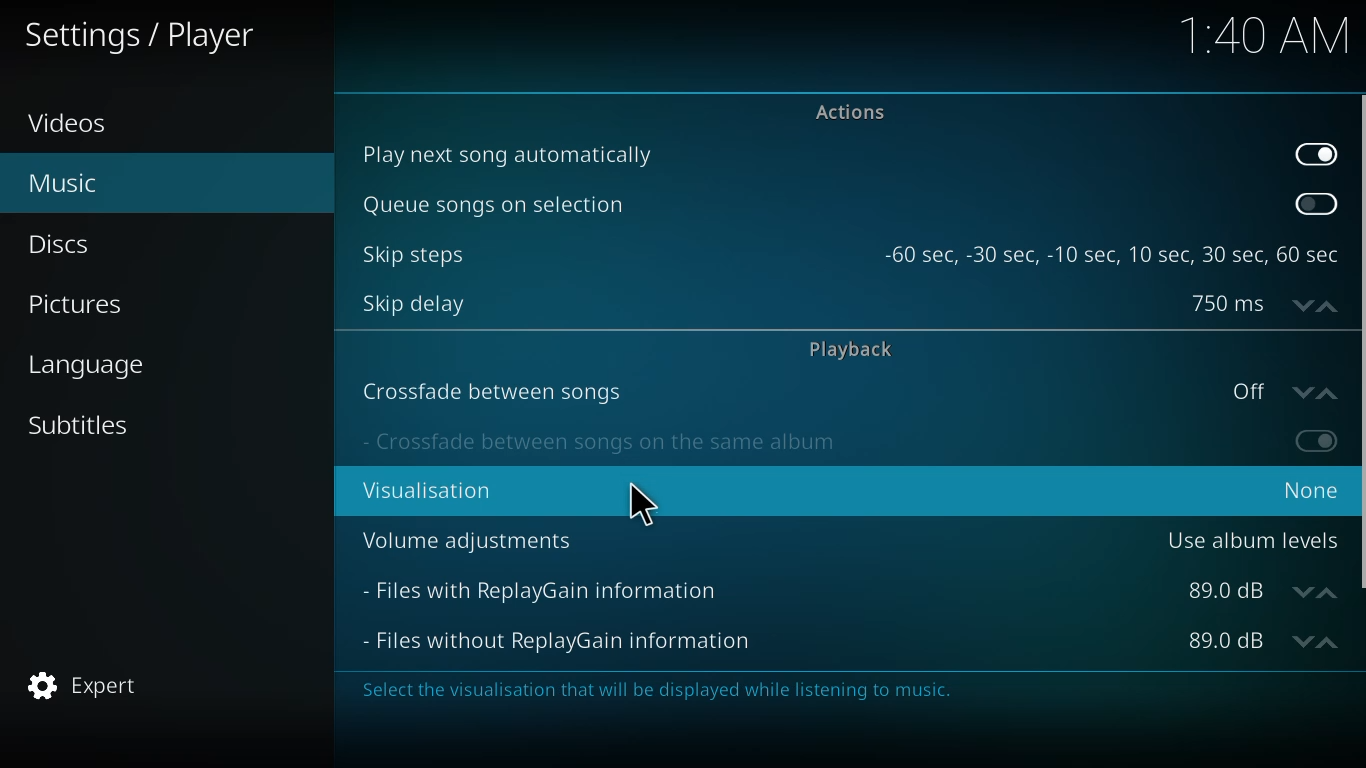 This screenshot has width=1366, height=768. I want to click on none, so click(1312, 489).